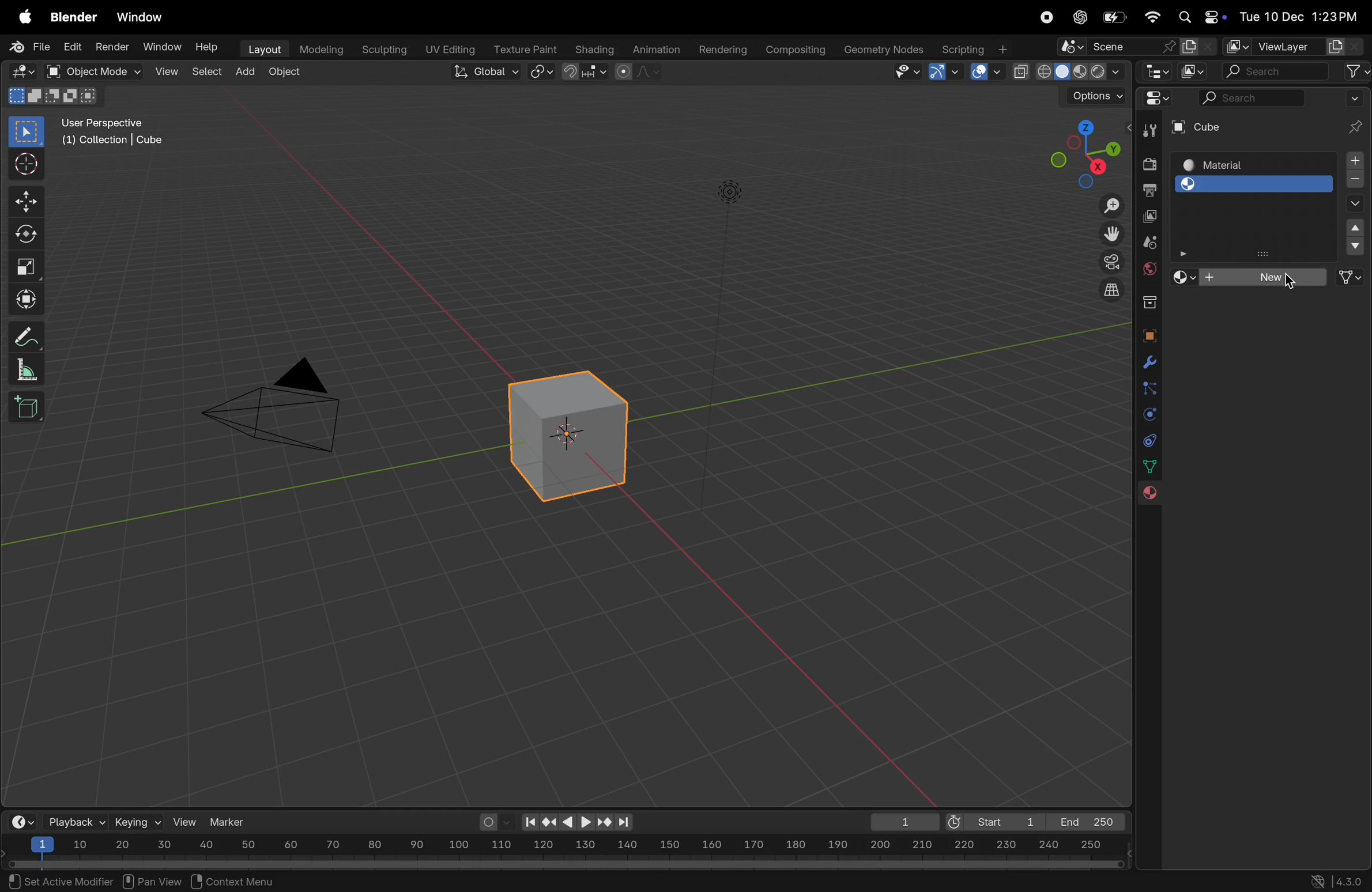 This screenshot has width=1372, height=892. Describe the element at coordinates (88, 71) in the screenshot. I see `object mode` at that location.